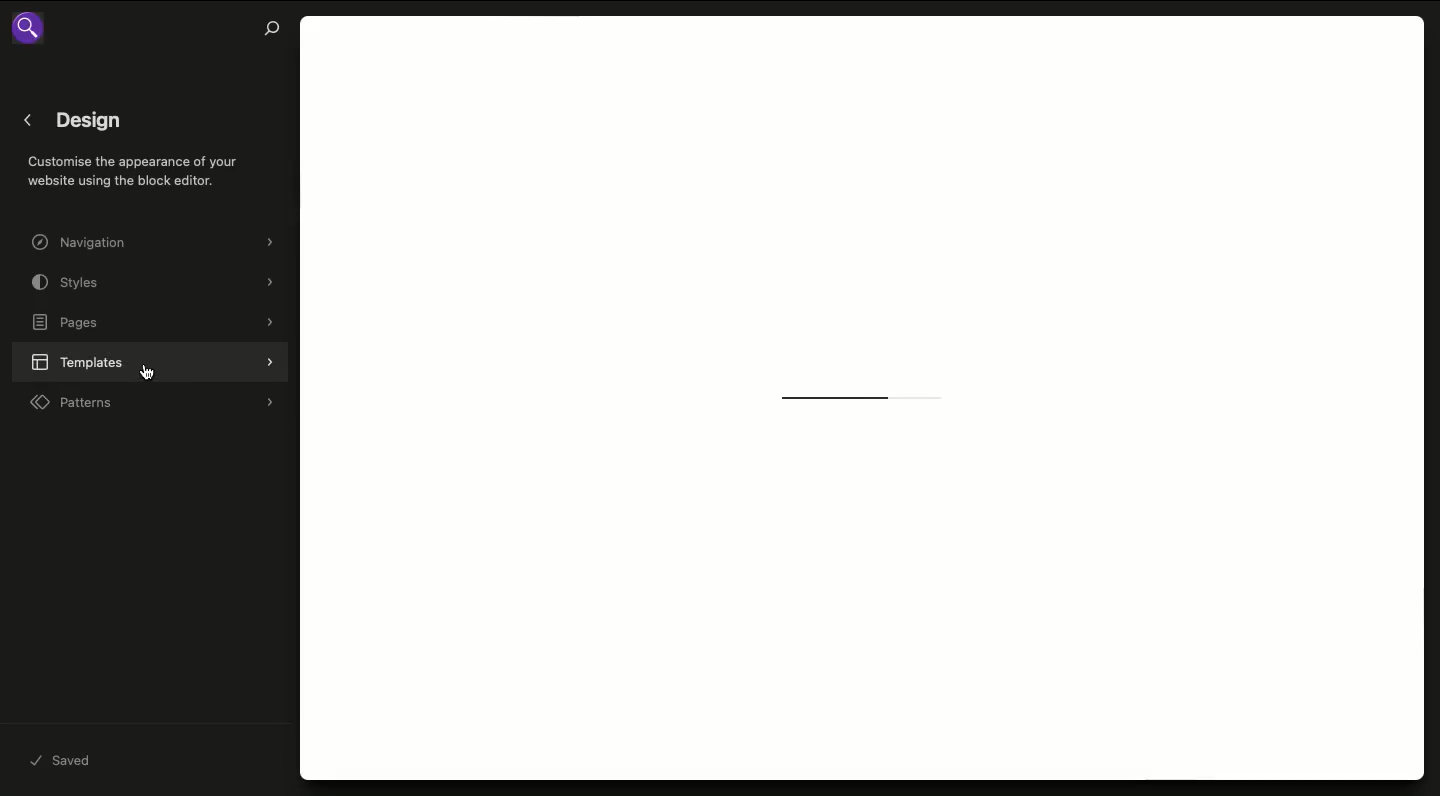 The image size is (1440, 796). Describe the element at coordinates (152, 362) in the screenshot. I see `Templates` at that location.